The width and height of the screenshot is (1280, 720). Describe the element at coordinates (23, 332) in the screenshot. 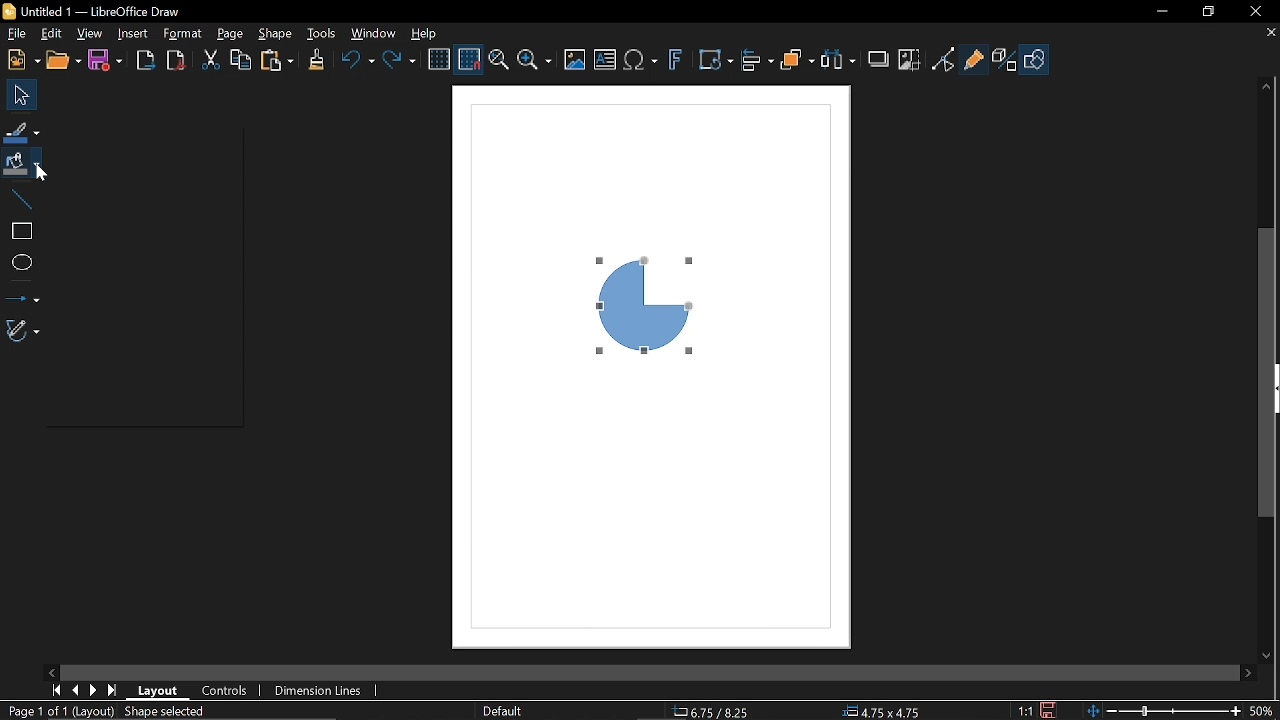

I see `Curves and polygons` at that location.